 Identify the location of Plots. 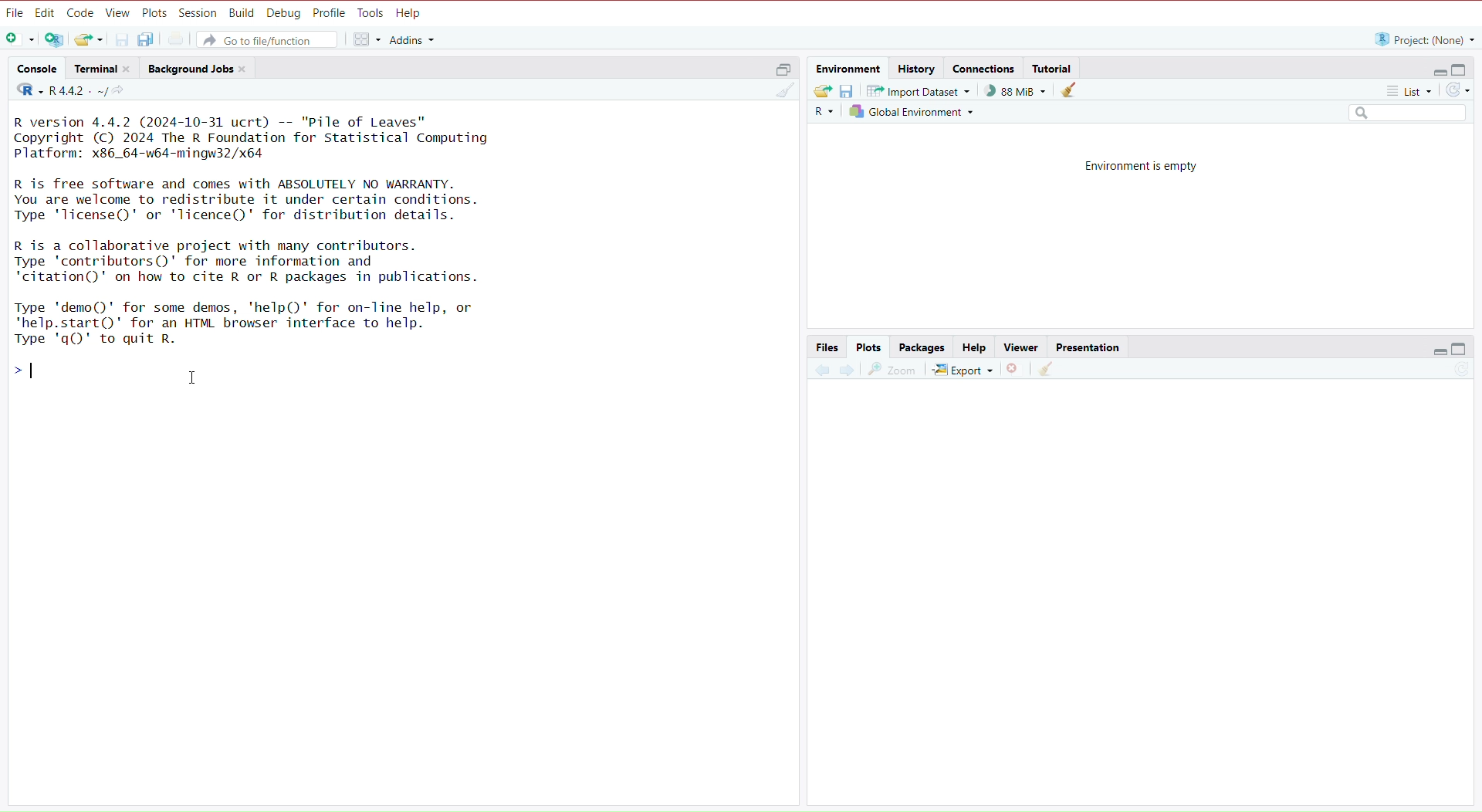
(868, 347).